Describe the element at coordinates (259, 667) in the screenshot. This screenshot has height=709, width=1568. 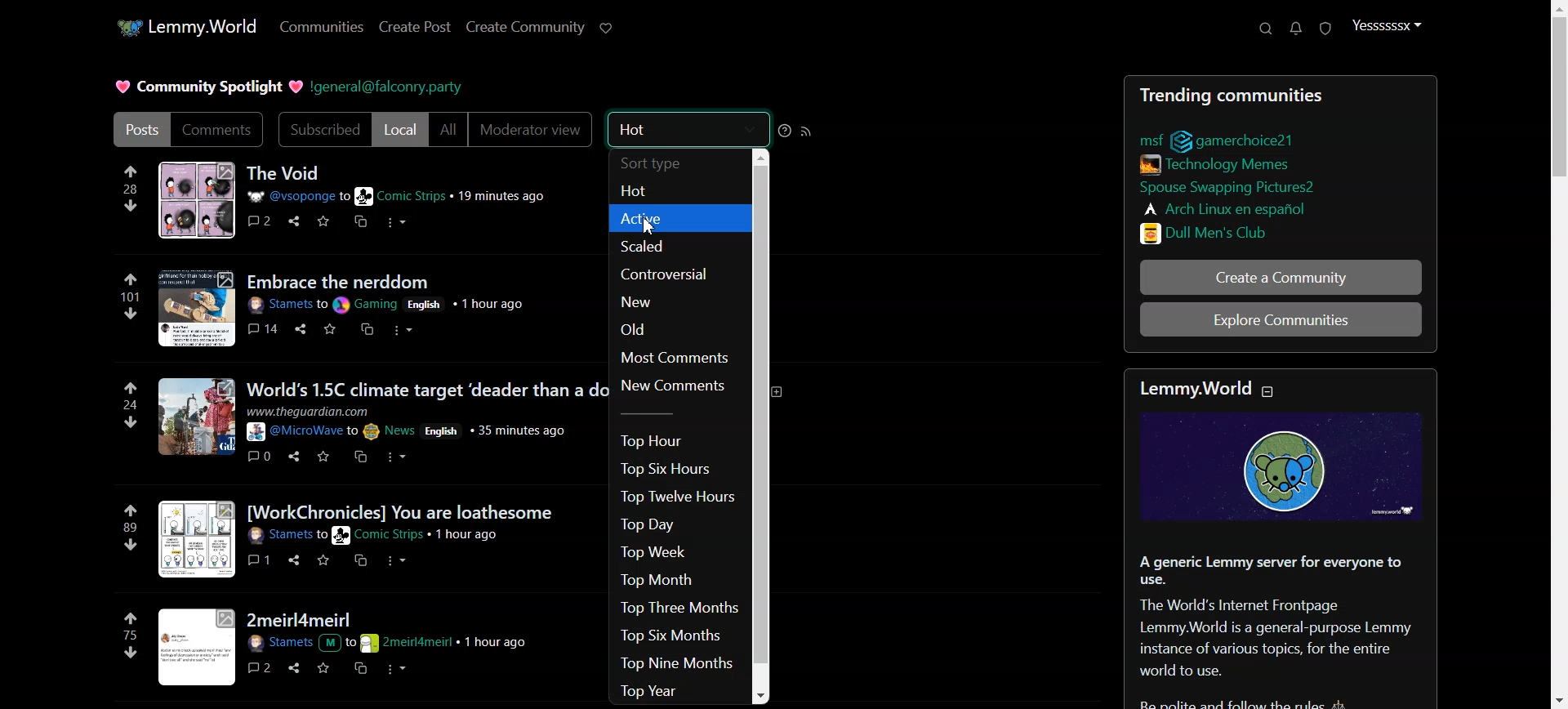
I see `` at that location.